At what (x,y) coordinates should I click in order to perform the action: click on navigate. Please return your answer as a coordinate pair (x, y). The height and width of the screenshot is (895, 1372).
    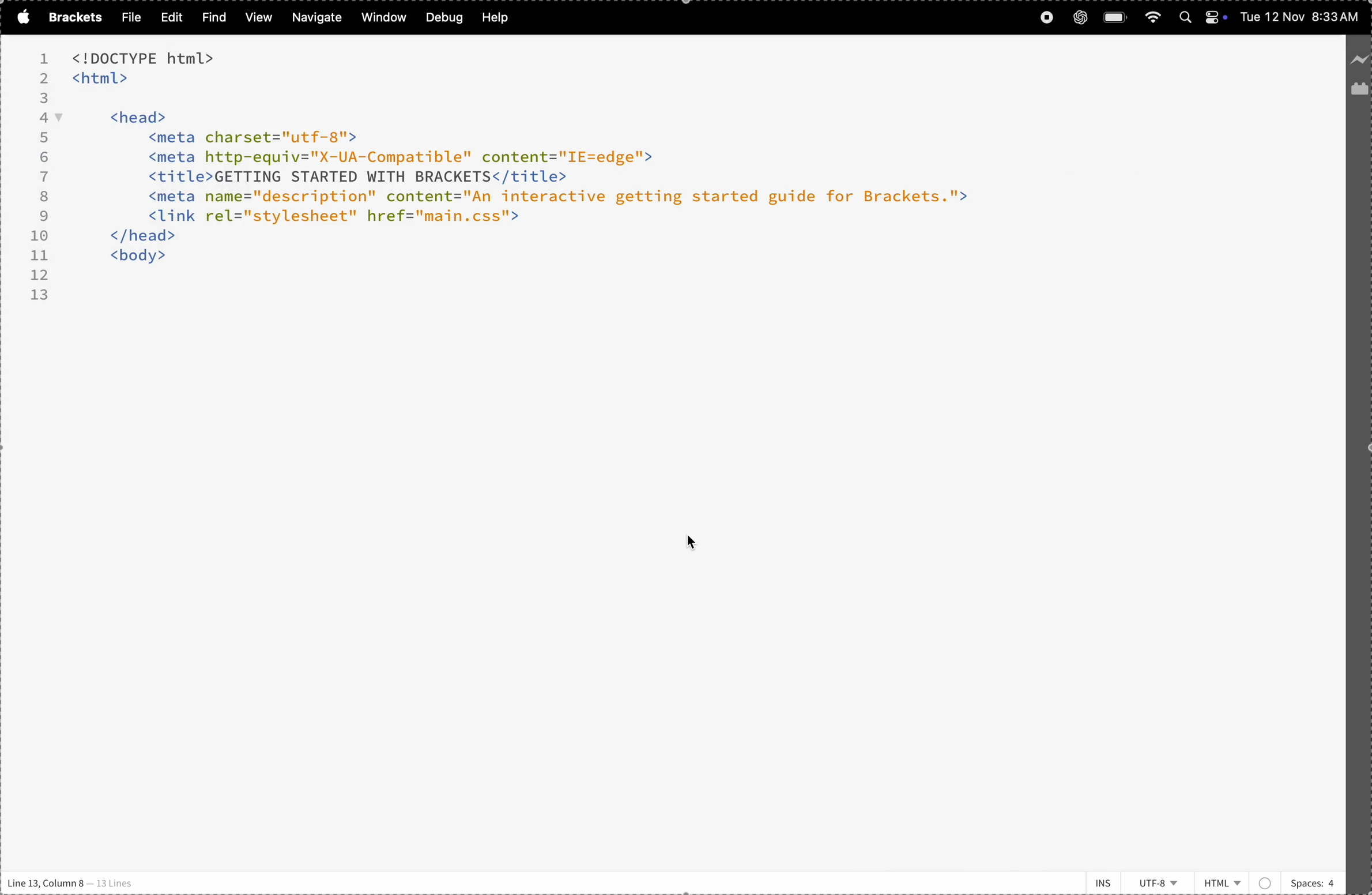
    Looking at the image, I should click on (318, 18).